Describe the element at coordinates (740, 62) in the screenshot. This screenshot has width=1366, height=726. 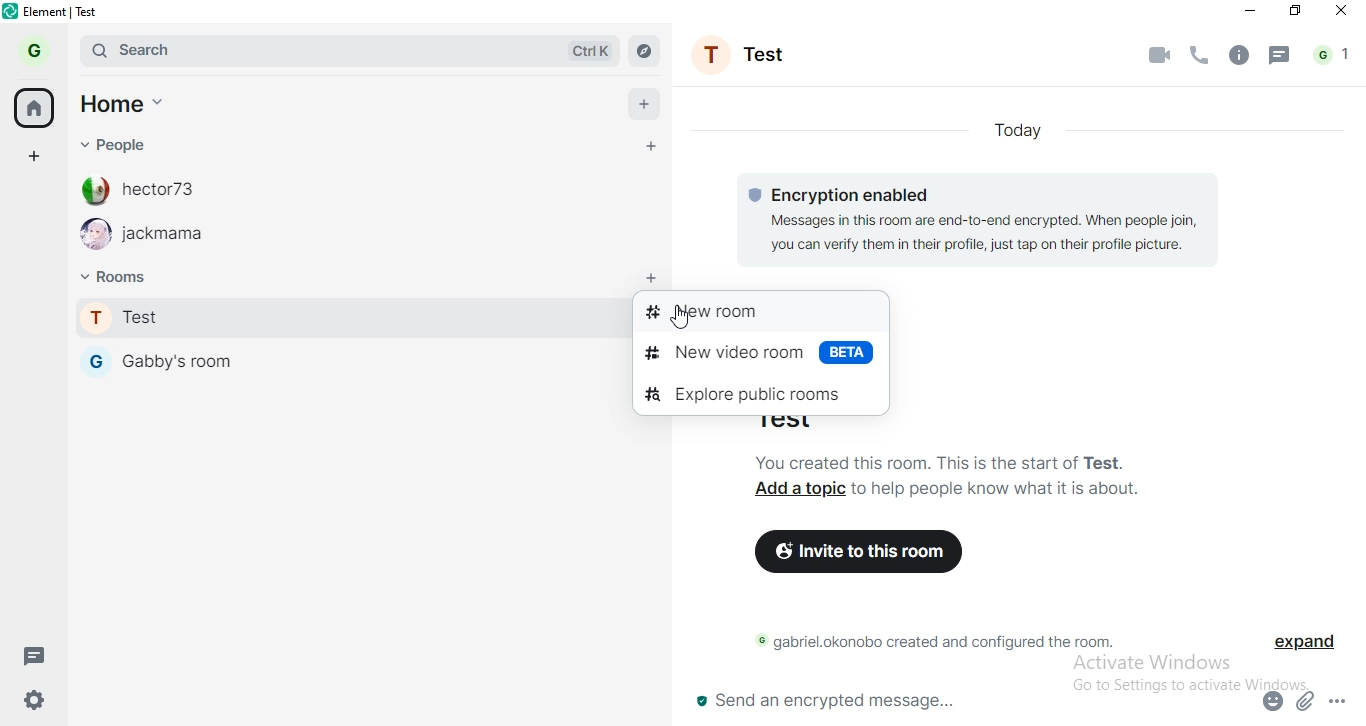
I see `profile` at that location.